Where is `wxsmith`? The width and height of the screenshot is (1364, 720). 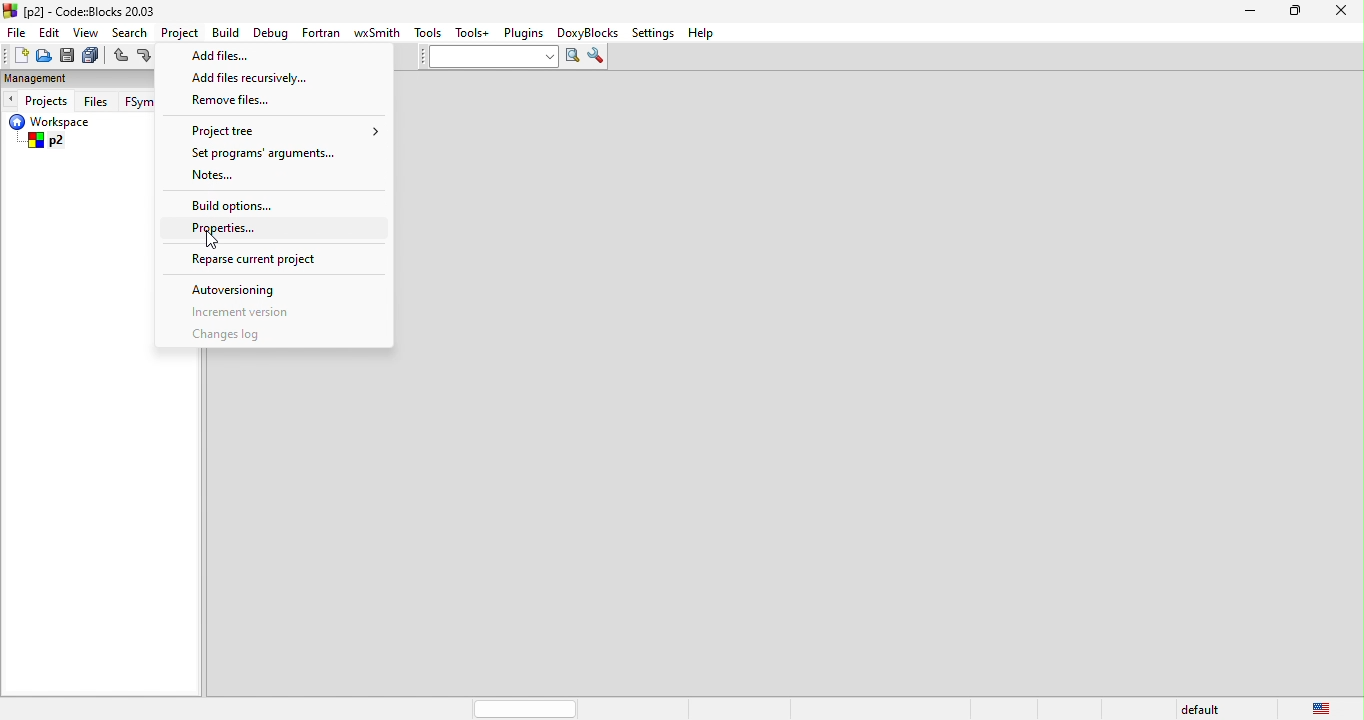
wxsmith is located at coordinates (377, 33).